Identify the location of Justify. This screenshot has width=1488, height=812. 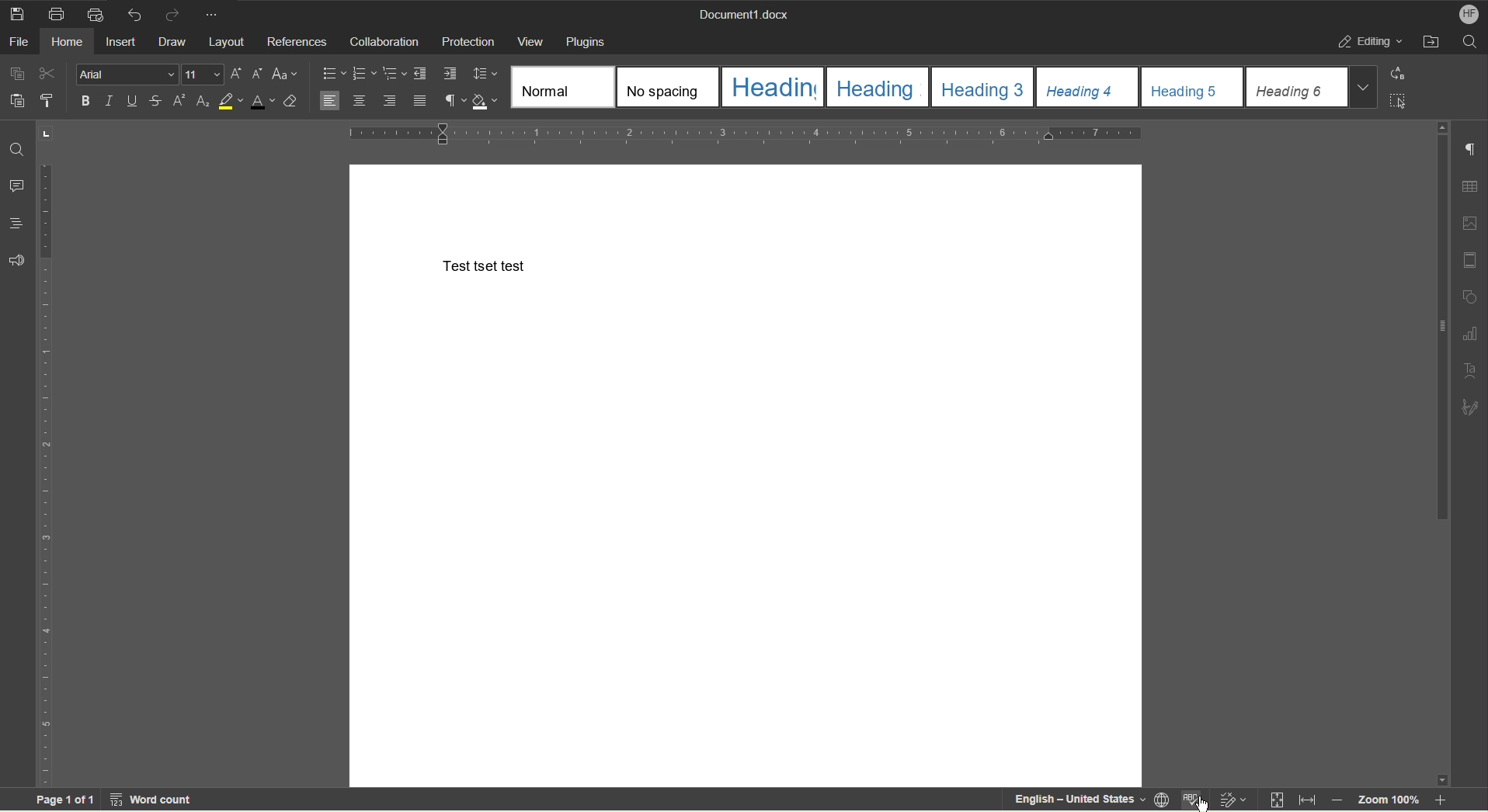
(419, 102).